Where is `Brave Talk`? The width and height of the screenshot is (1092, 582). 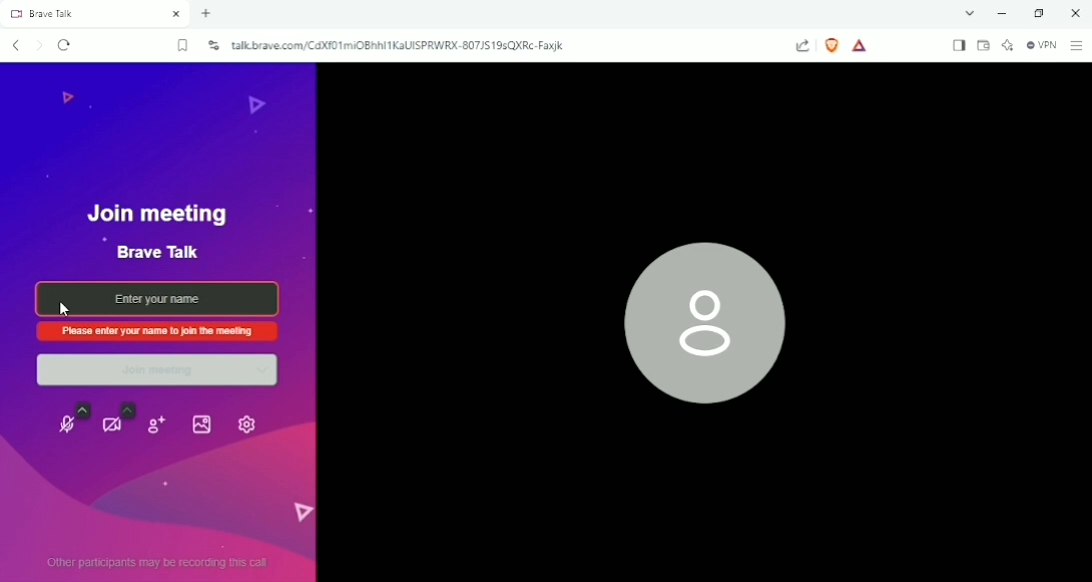
Brave Talk is located at coordinates (96, 15).